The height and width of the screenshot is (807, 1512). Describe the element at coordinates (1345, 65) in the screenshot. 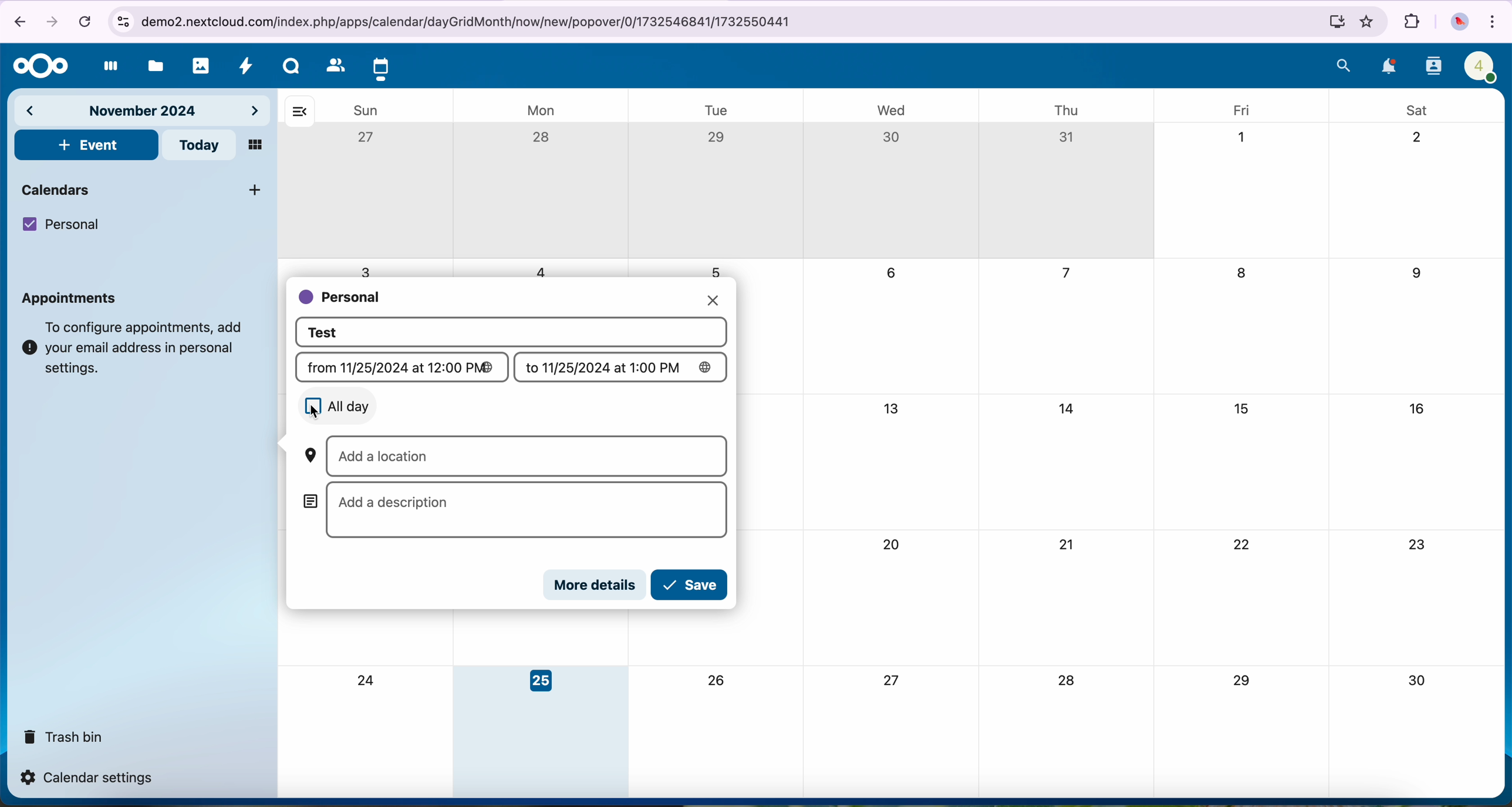

I see `search` at that location.